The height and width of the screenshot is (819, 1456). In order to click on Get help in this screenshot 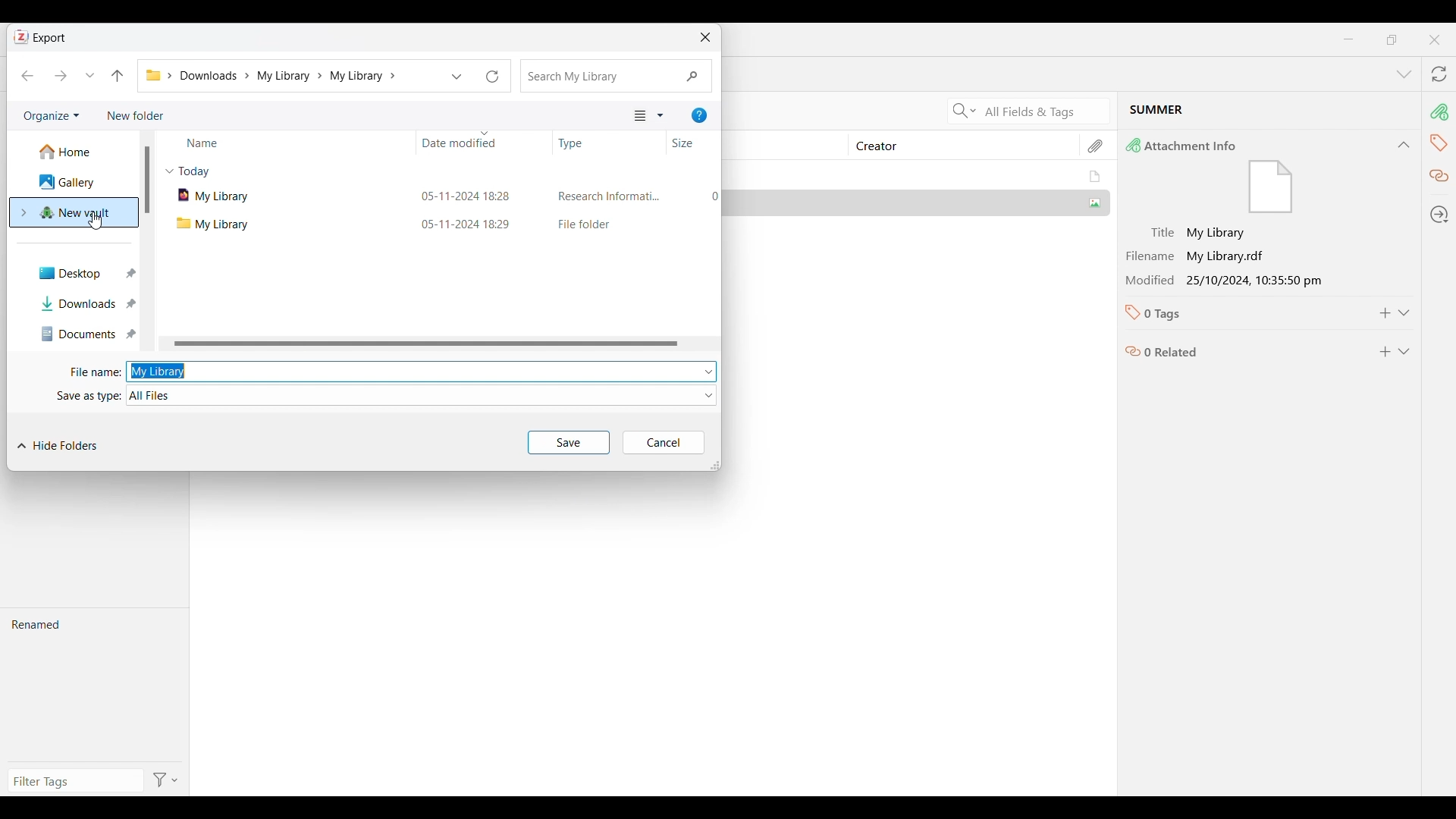, I will do `click(700, 116)`.